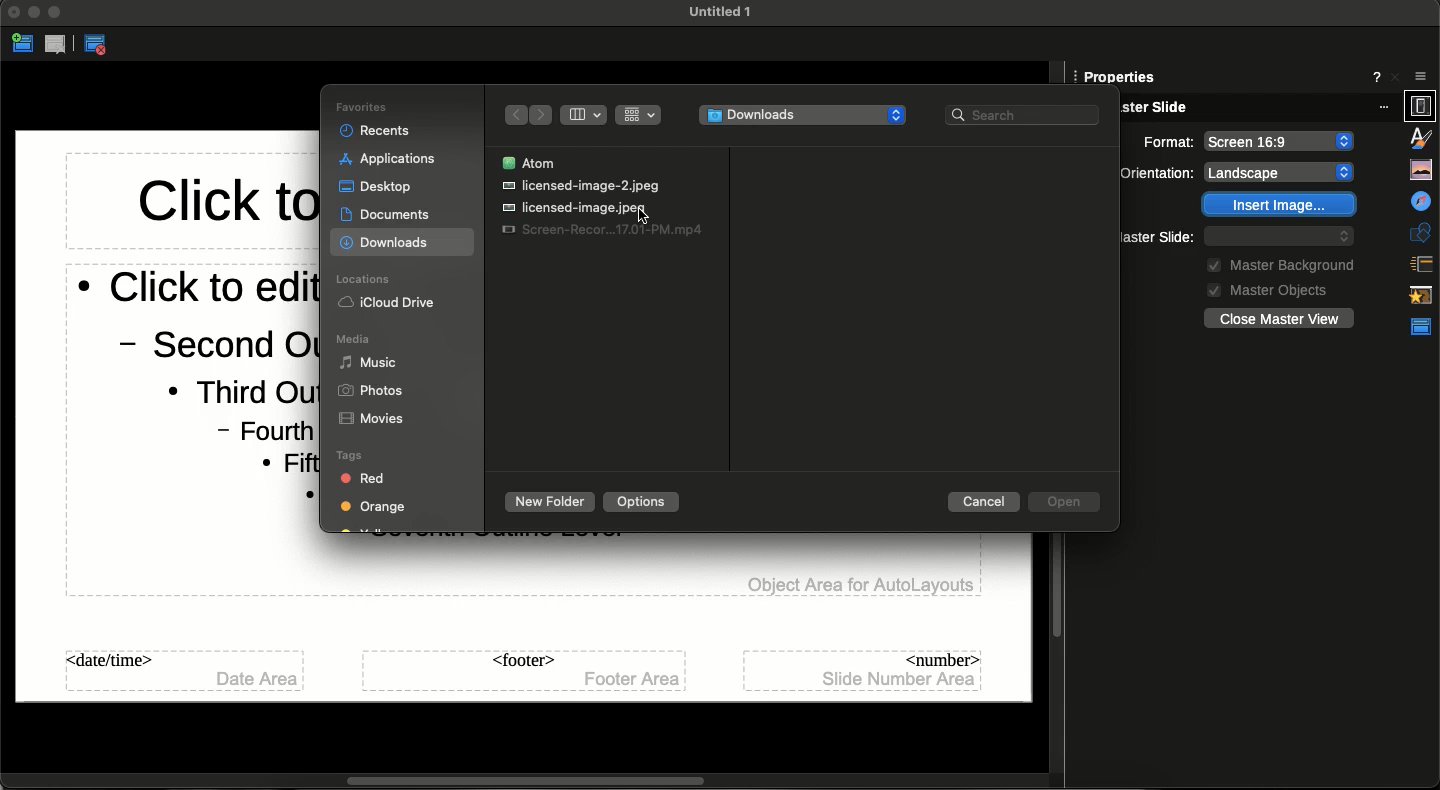 The width and height of the screenshot is (1440, 790). Describe the element at coordinates (355, 457) in the screenshot. I see `Tags` at that location.